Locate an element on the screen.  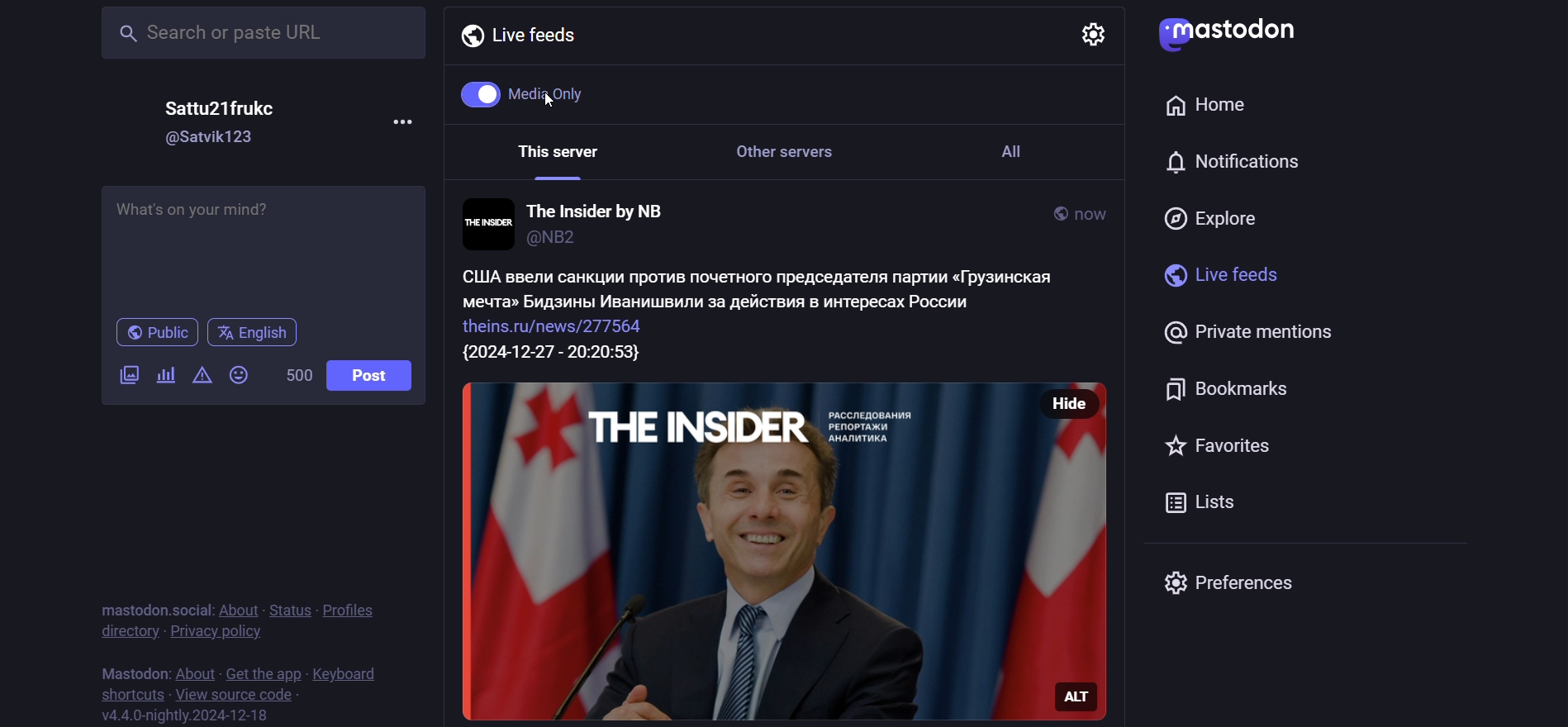
version is located at coordinates (186, 715).